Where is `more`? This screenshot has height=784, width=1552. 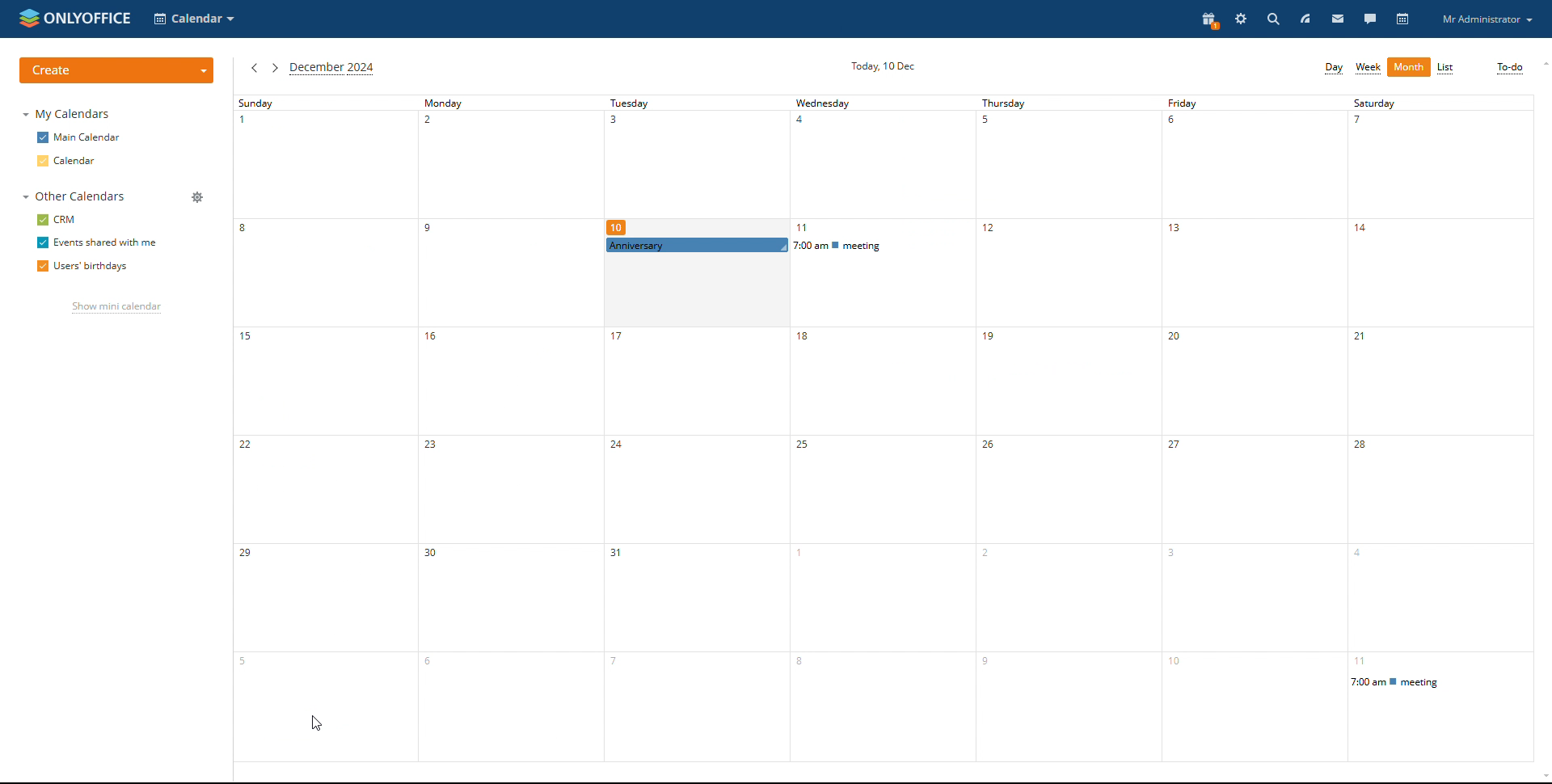 more is located at coordinates (1406, 69).